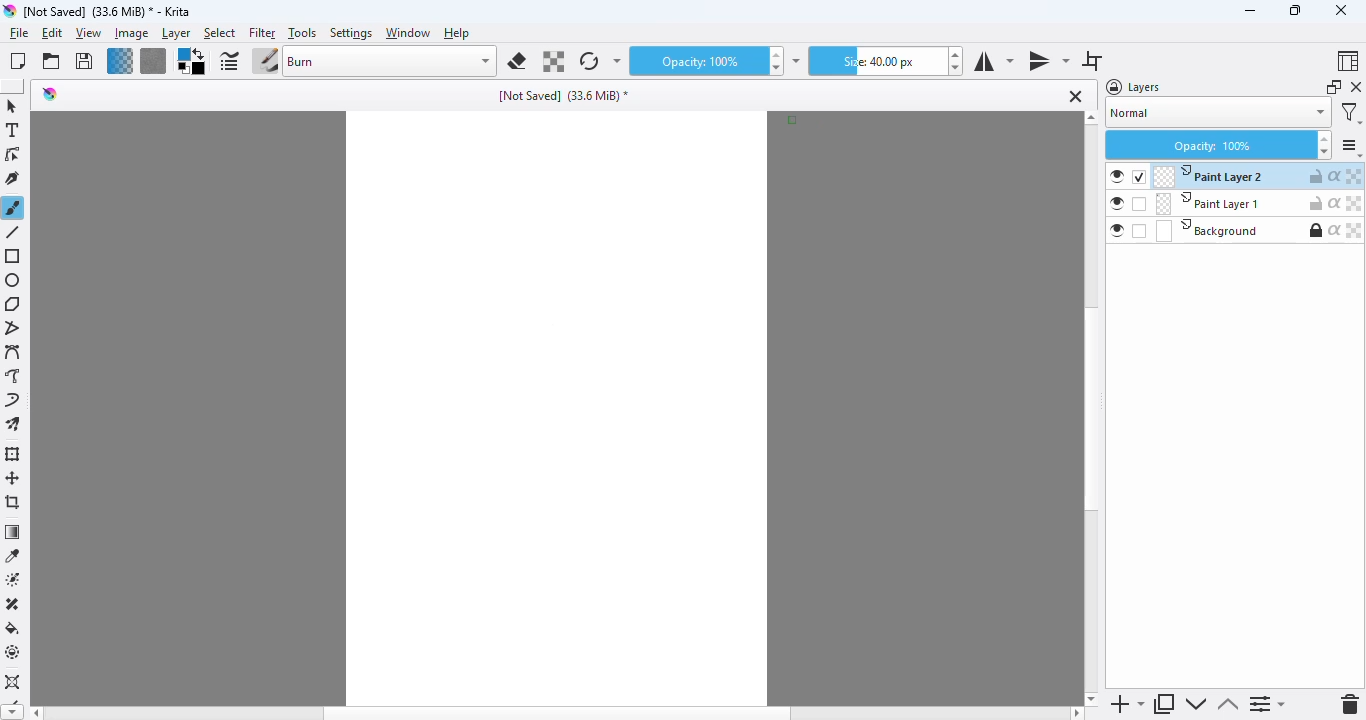 This screenshot has height=720, width=1366. Describe the element at coordinates (12, 401) in the screenshot. I see `dynamic brush tool` at that location.